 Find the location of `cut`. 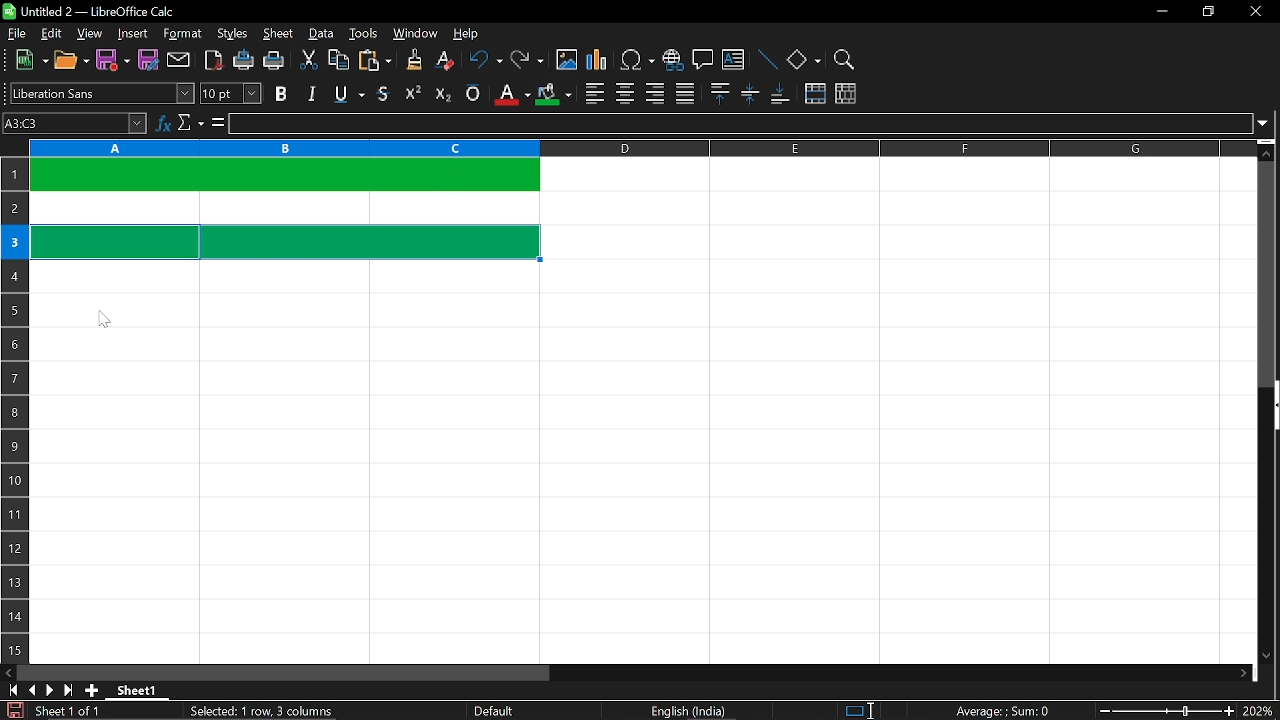

cut is located at coordinates (310, 60).